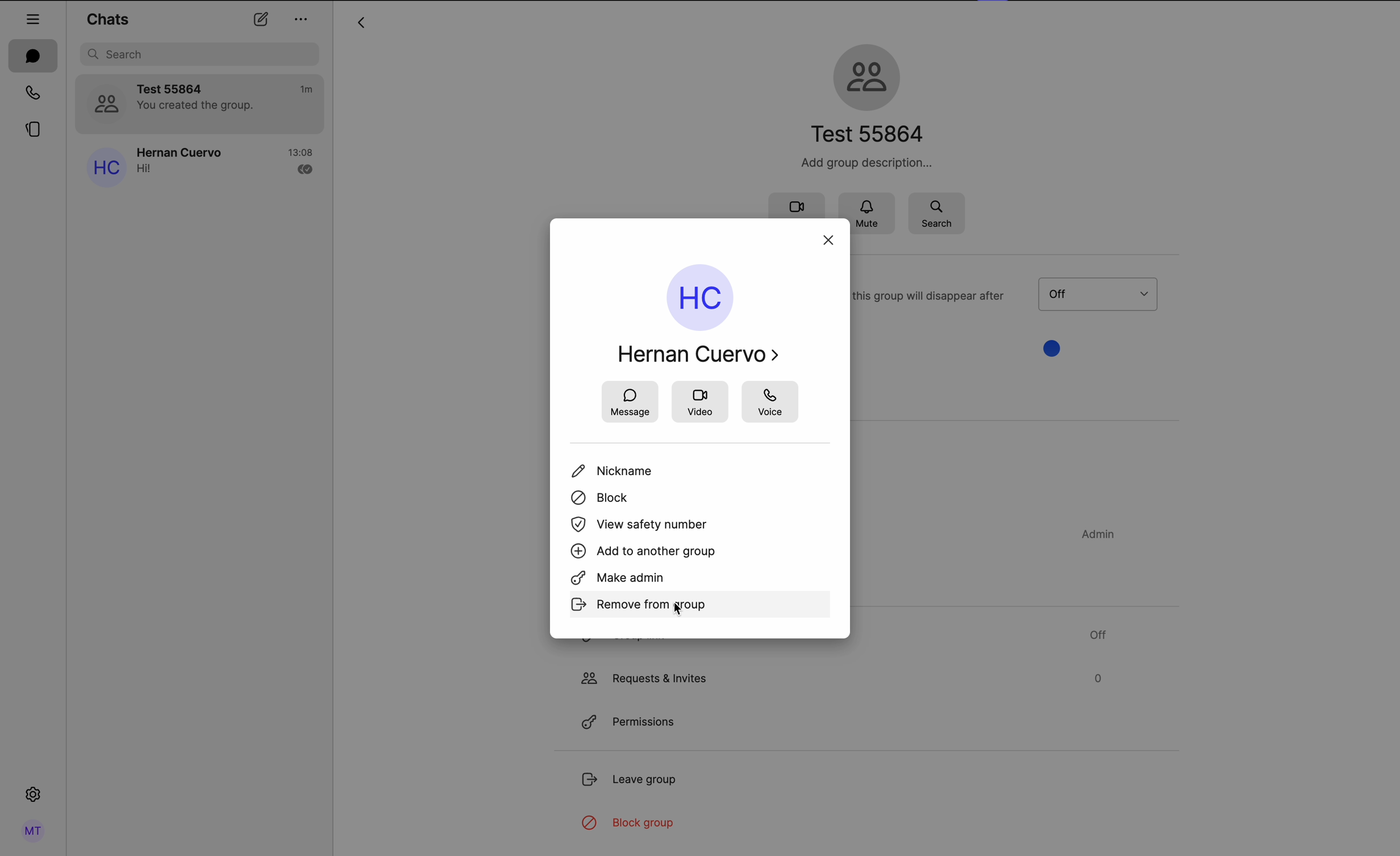 The height and width of the screenshot is (856, 1400). What do you see at coordinates (198, 165) in the screenshot?
I see `Hernan Cuervo chat` at bounding box center [198, 165].